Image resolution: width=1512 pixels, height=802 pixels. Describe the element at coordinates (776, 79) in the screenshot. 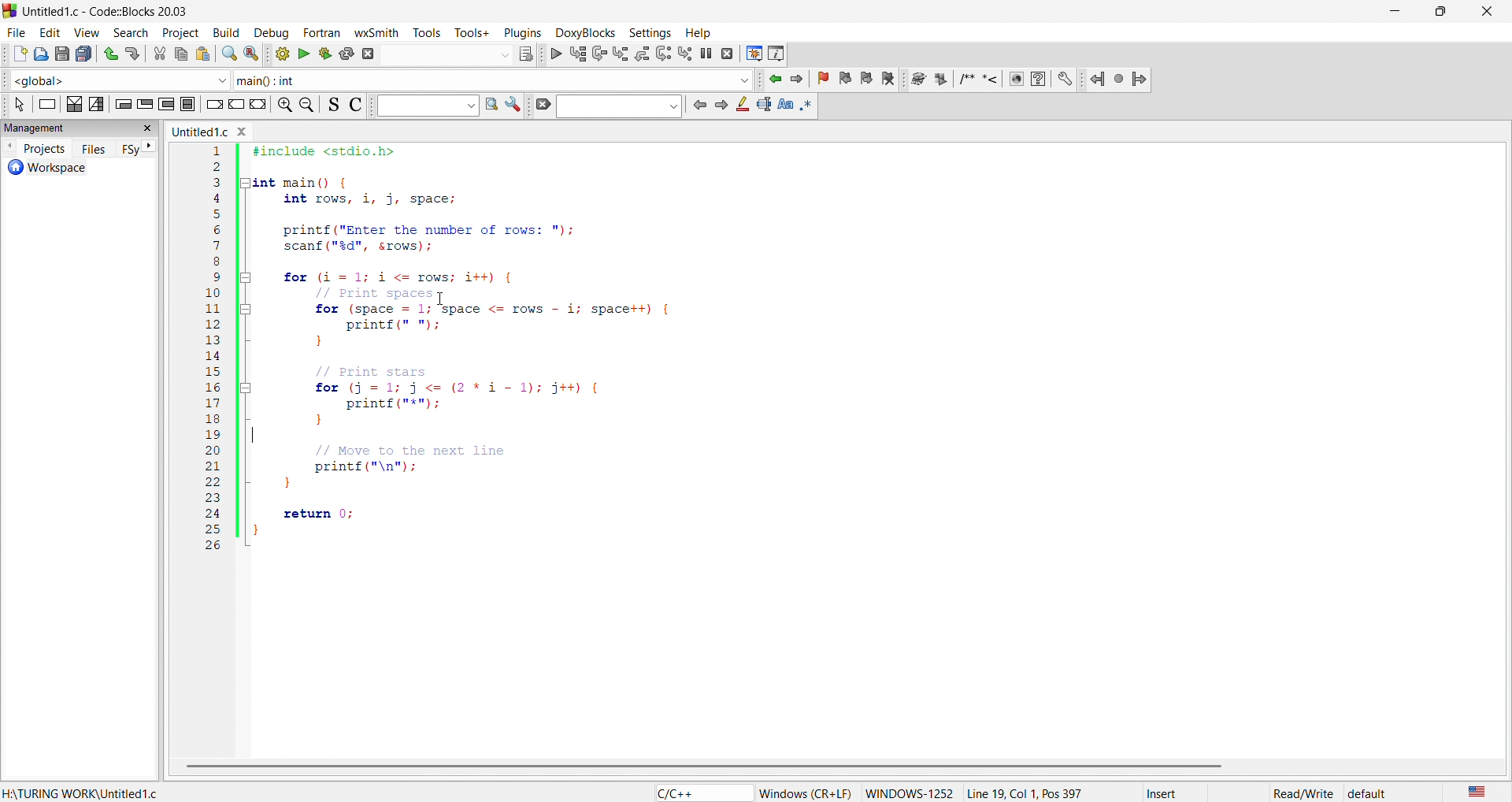

I see `jump backward` at that location.